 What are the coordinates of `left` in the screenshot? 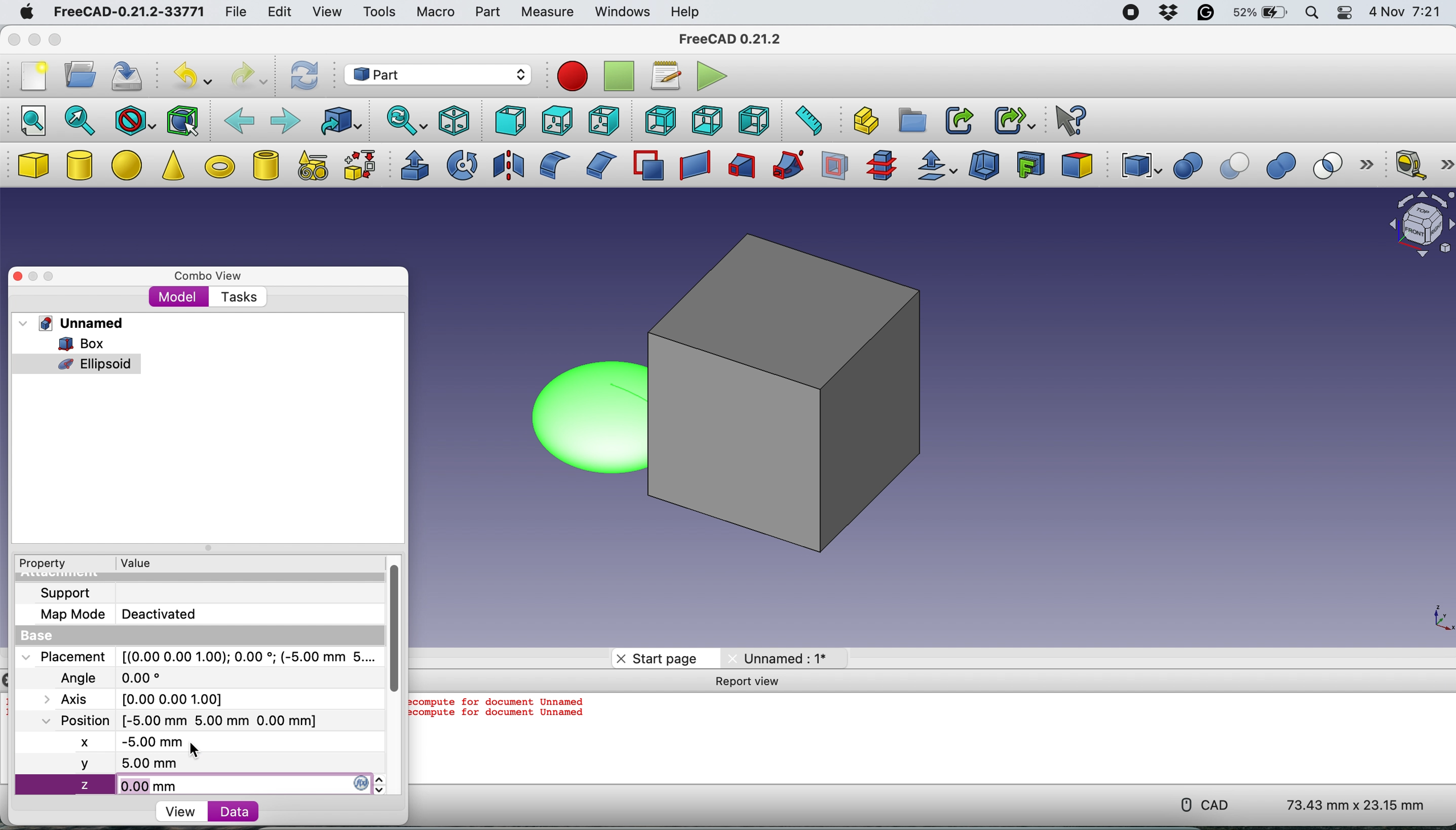 It's located at (756, 120).